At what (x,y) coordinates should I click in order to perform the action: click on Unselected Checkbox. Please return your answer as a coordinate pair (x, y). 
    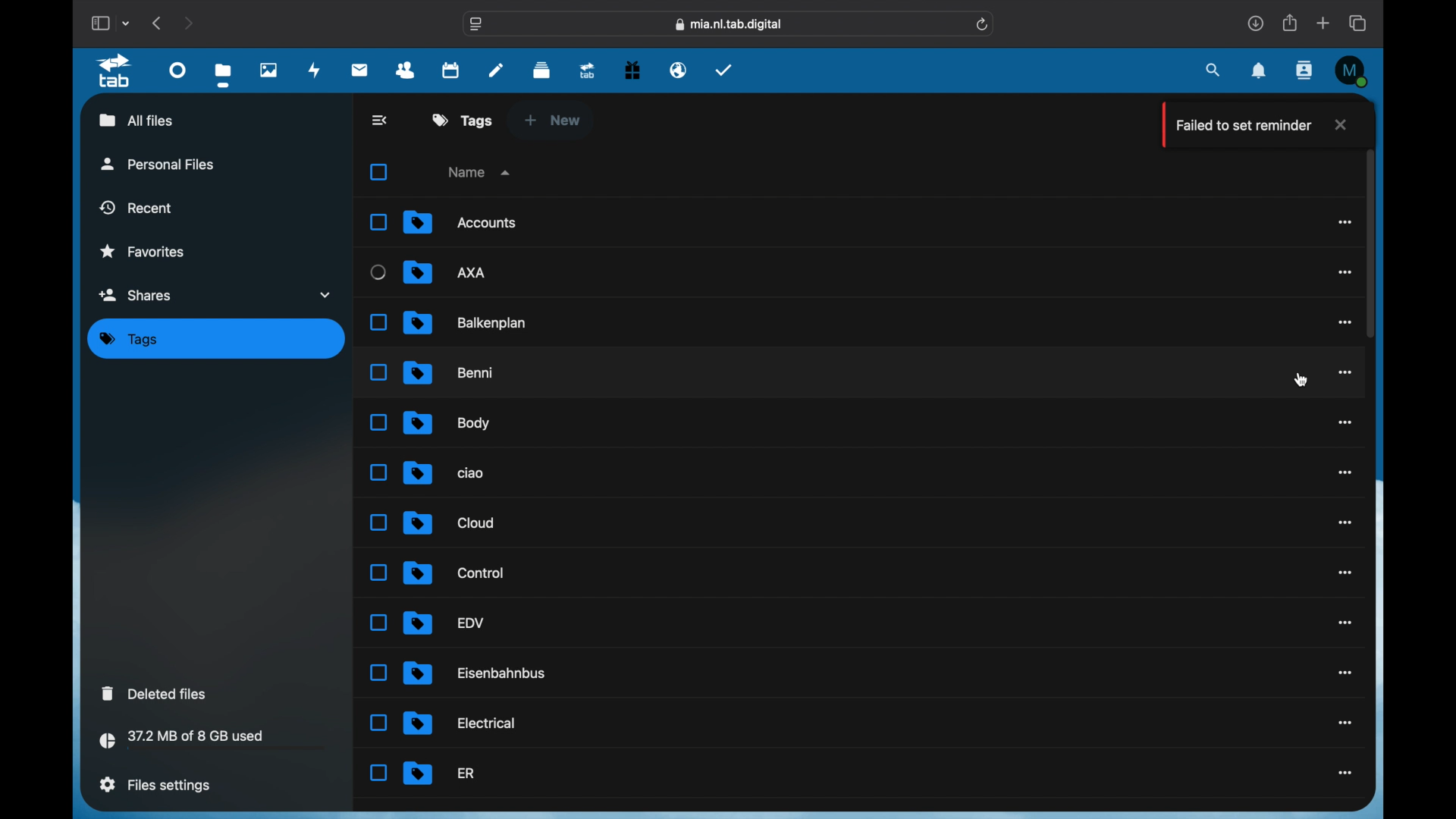
    Looking at the image, I should click on (377, 572).